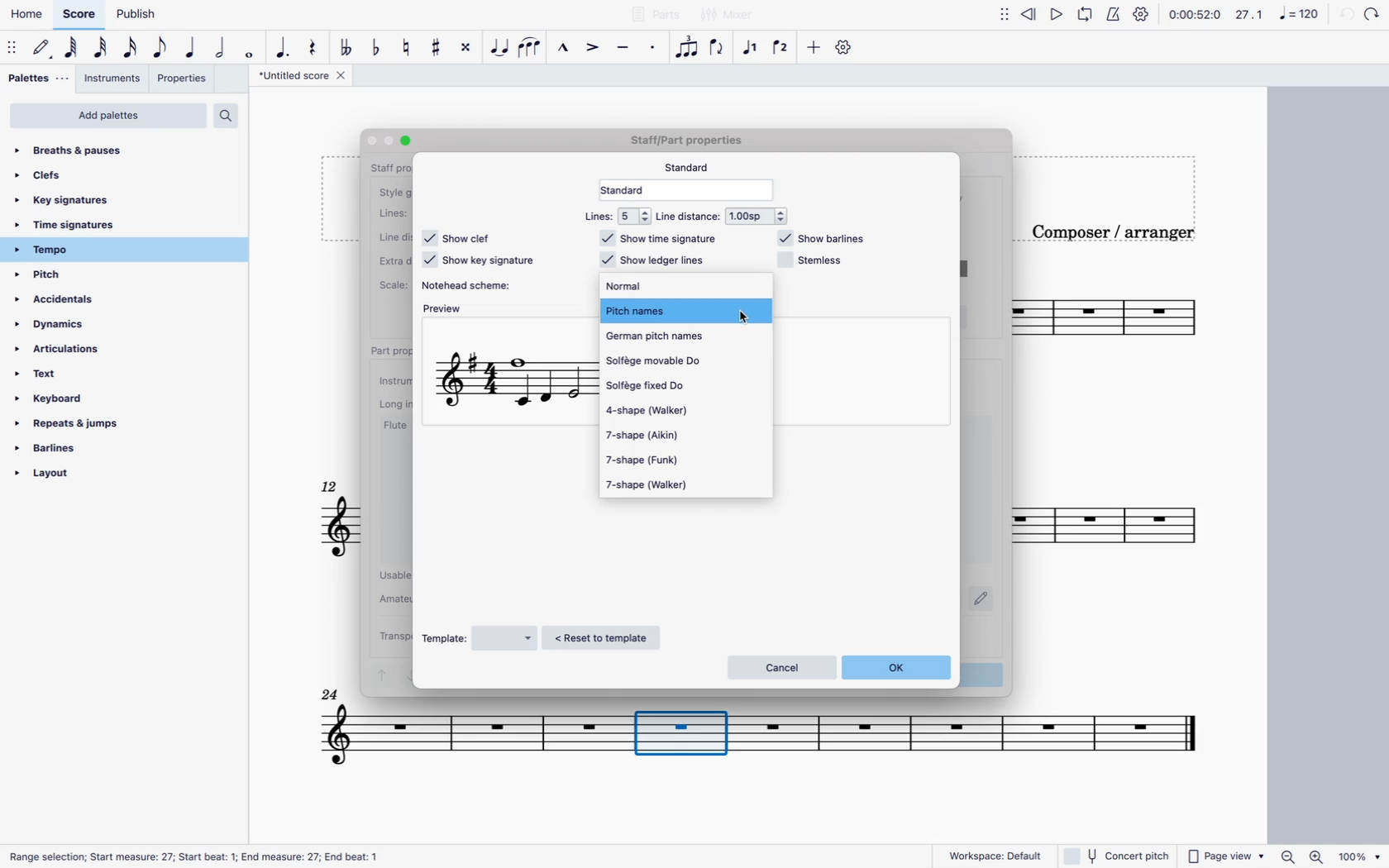  Describe the element at coordinates (613, 216) in the screenshot. I see `lines` at that location.